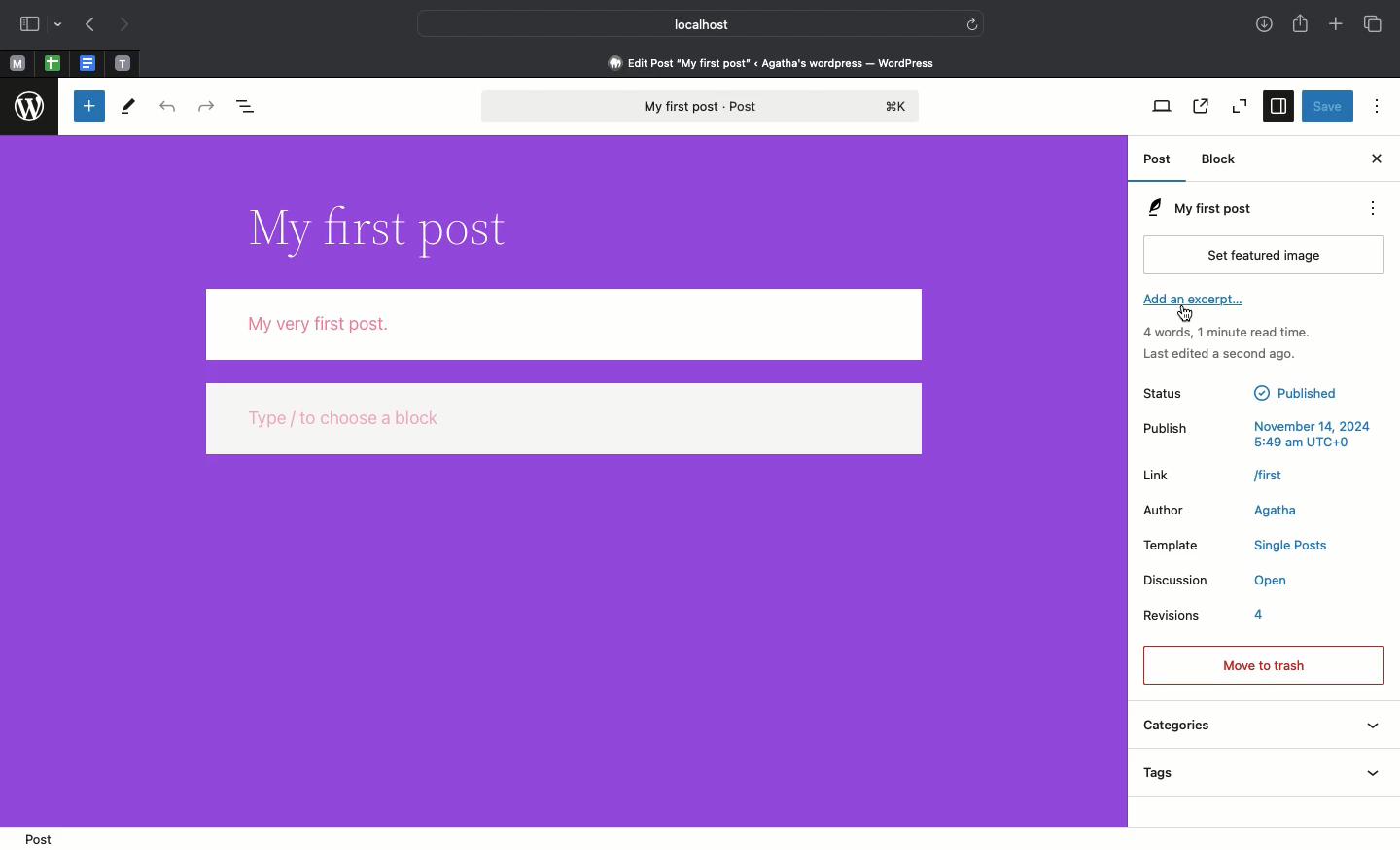 The image size is (1400, 850). What do you see at coordinates (206, 106) in the screenshot?
I see `Redo` at bounding box center [206, 106].